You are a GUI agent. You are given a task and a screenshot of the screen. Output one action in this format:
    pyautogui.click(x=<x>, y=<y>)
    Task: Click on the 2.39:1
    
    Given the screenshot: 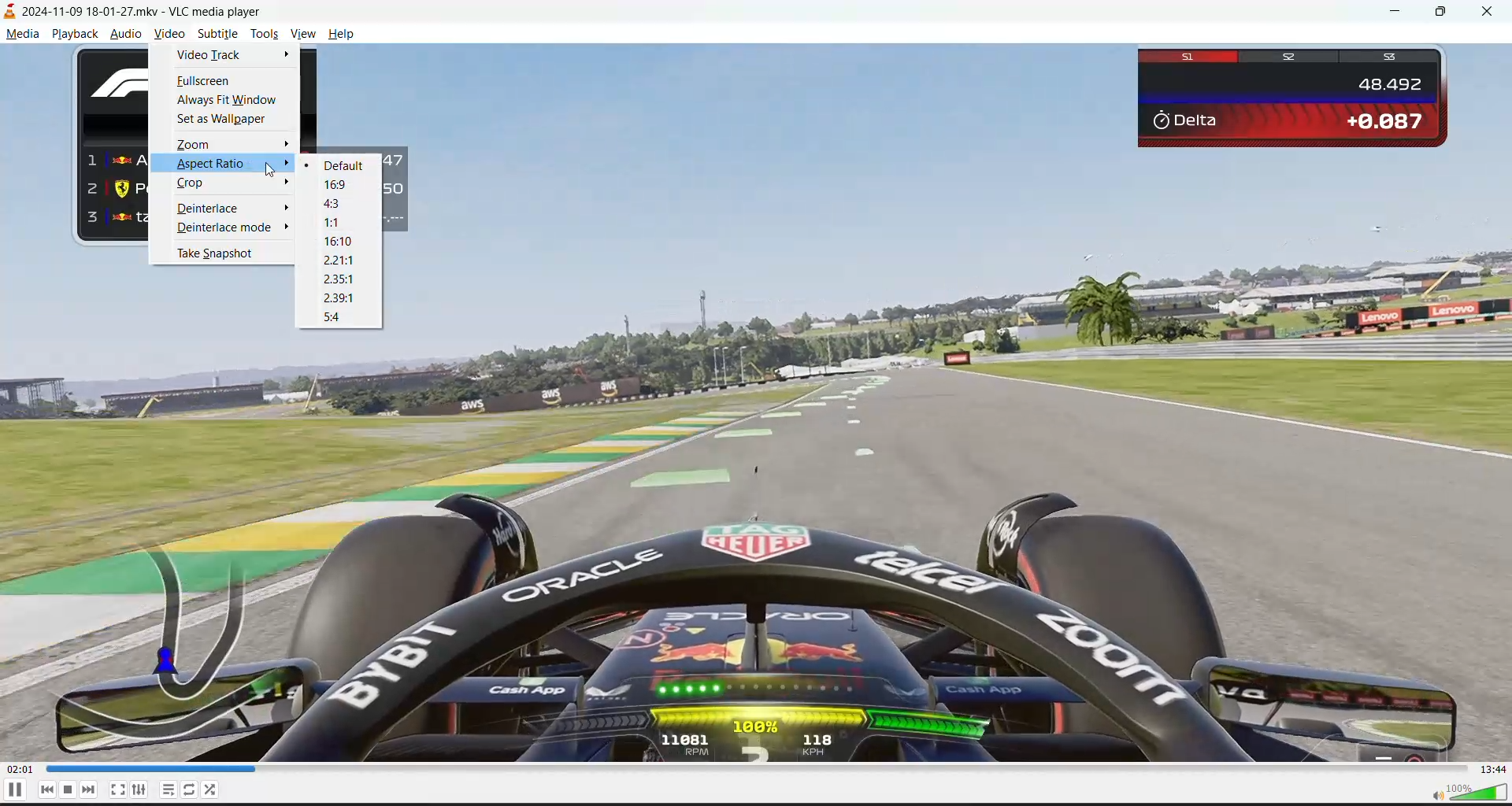 What is the action you would take?
    pyautogui.click(x=345, y=297)
    